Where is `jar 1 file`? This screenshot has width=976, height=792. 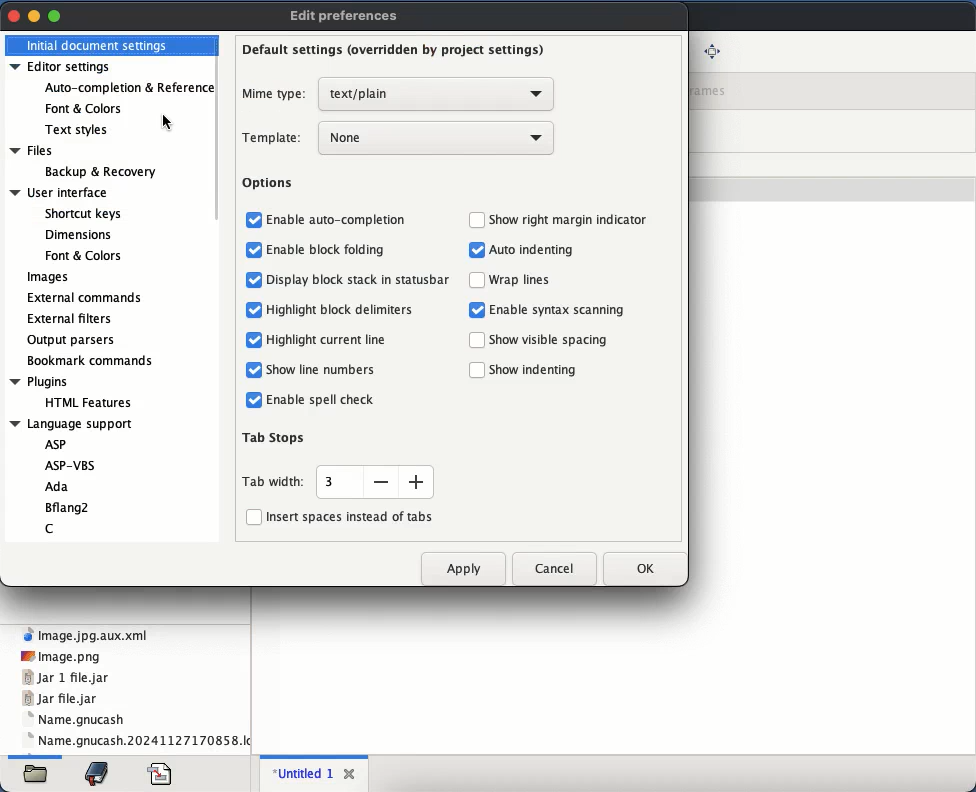
jar 1 file is located at coordinates (68, 677).